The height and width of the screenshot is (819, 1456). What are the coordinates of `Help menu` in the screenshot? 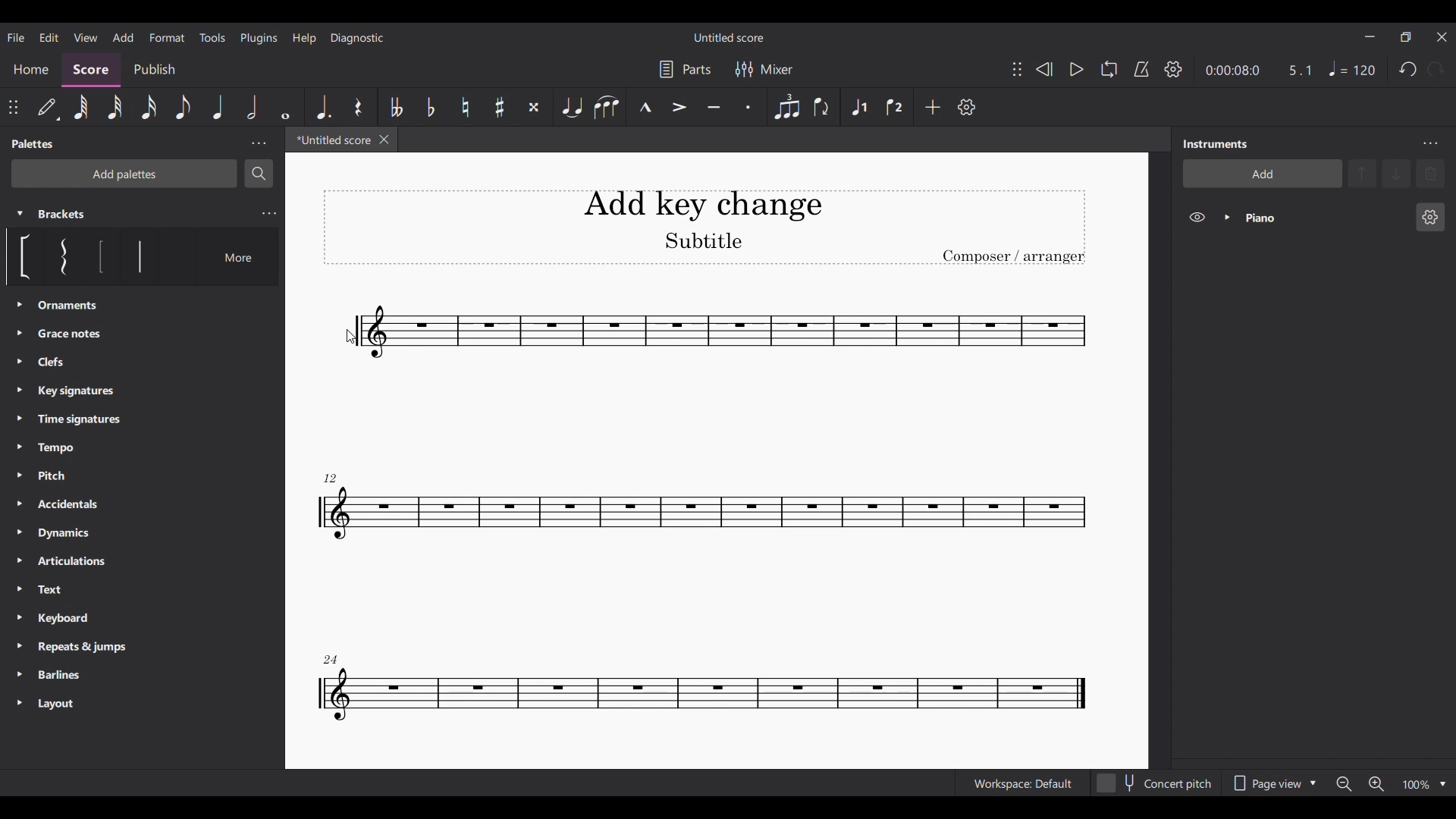 It's located at (303, 39).